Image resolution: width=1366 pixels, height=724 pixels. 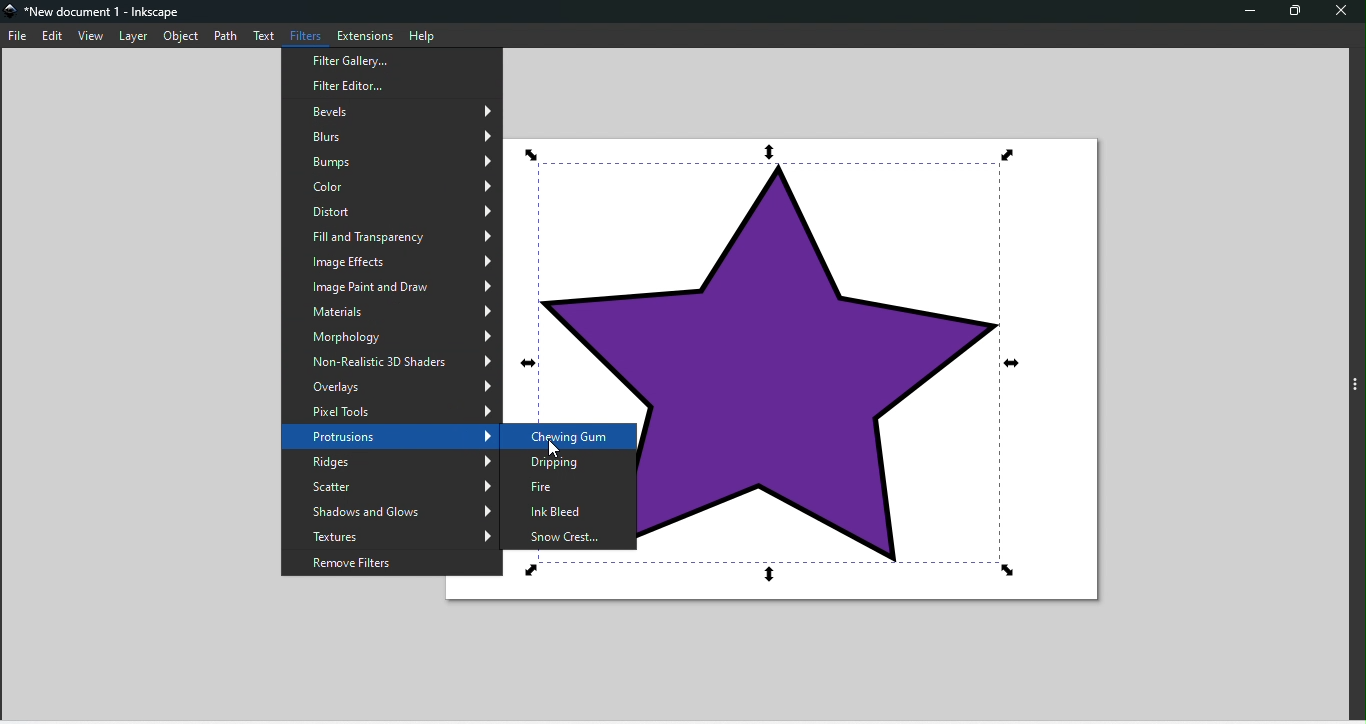 What do you see at coordinates (393, 208) in the screenshot?
I see `Distort` at bounding box center [393, 208].